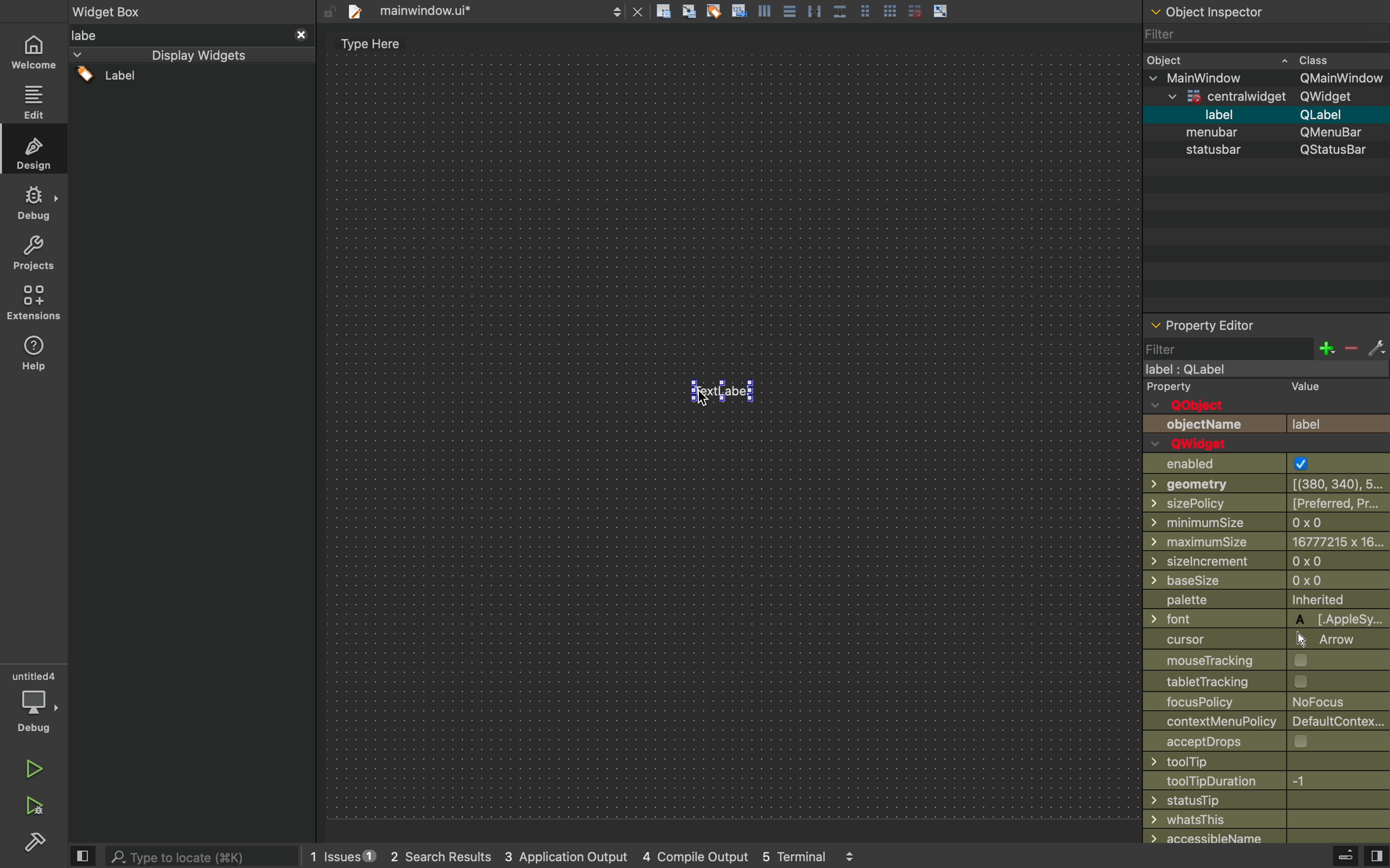  What do you see at coordinates (868, 10) in the screenshot?
I see `Pages` at bounding box center [868, 10].